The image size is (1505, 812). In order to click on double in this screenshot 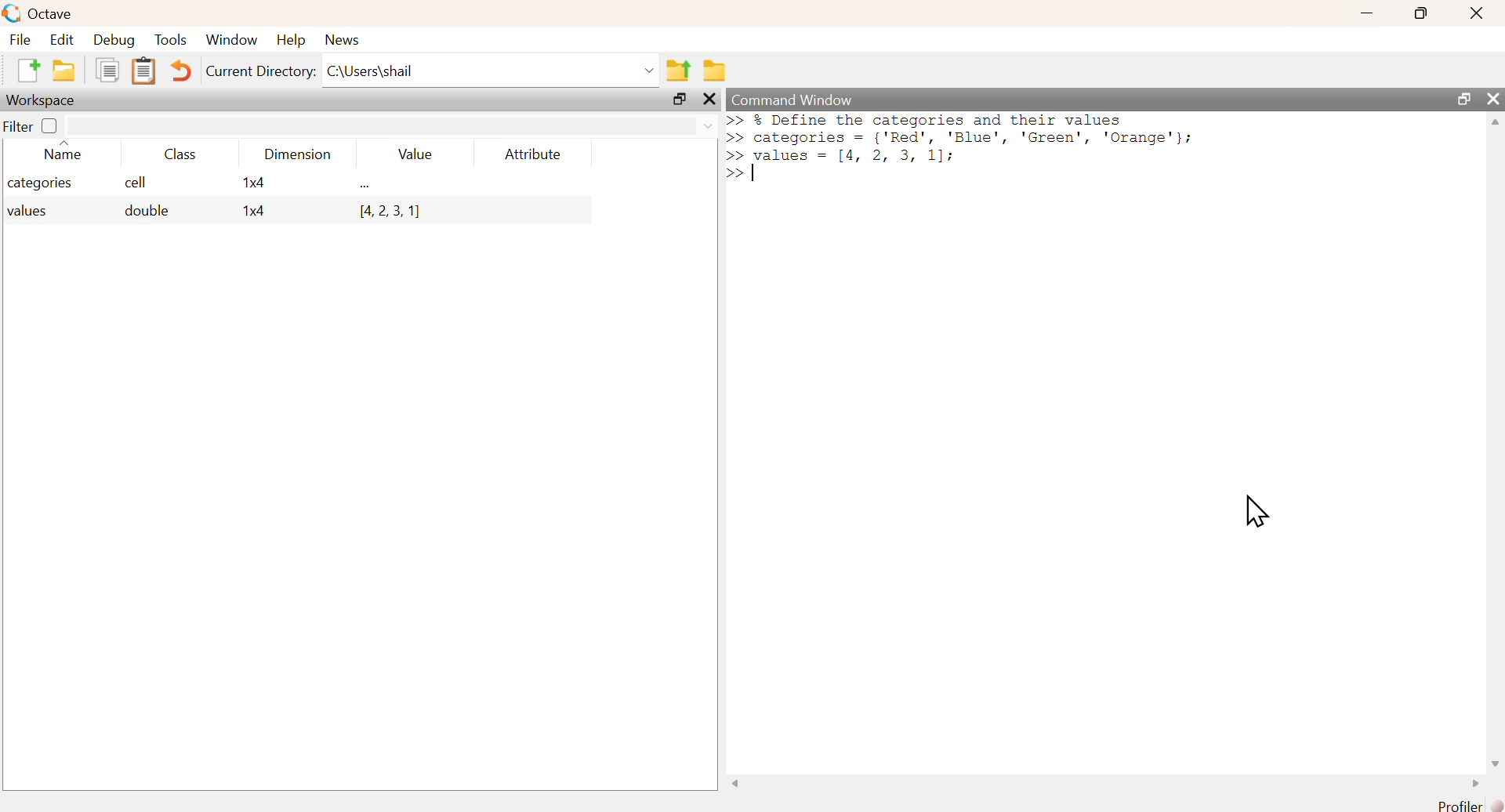, I will do `click(147, 210)`.